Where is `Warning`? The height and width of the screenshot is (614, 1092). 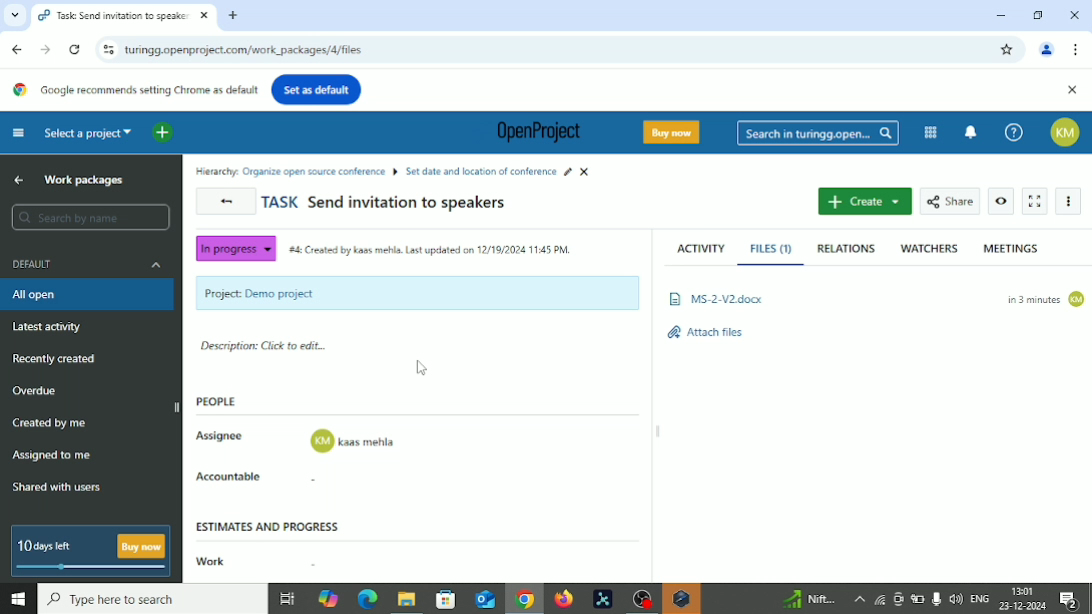 Warning is located at coordinates (681, 599).